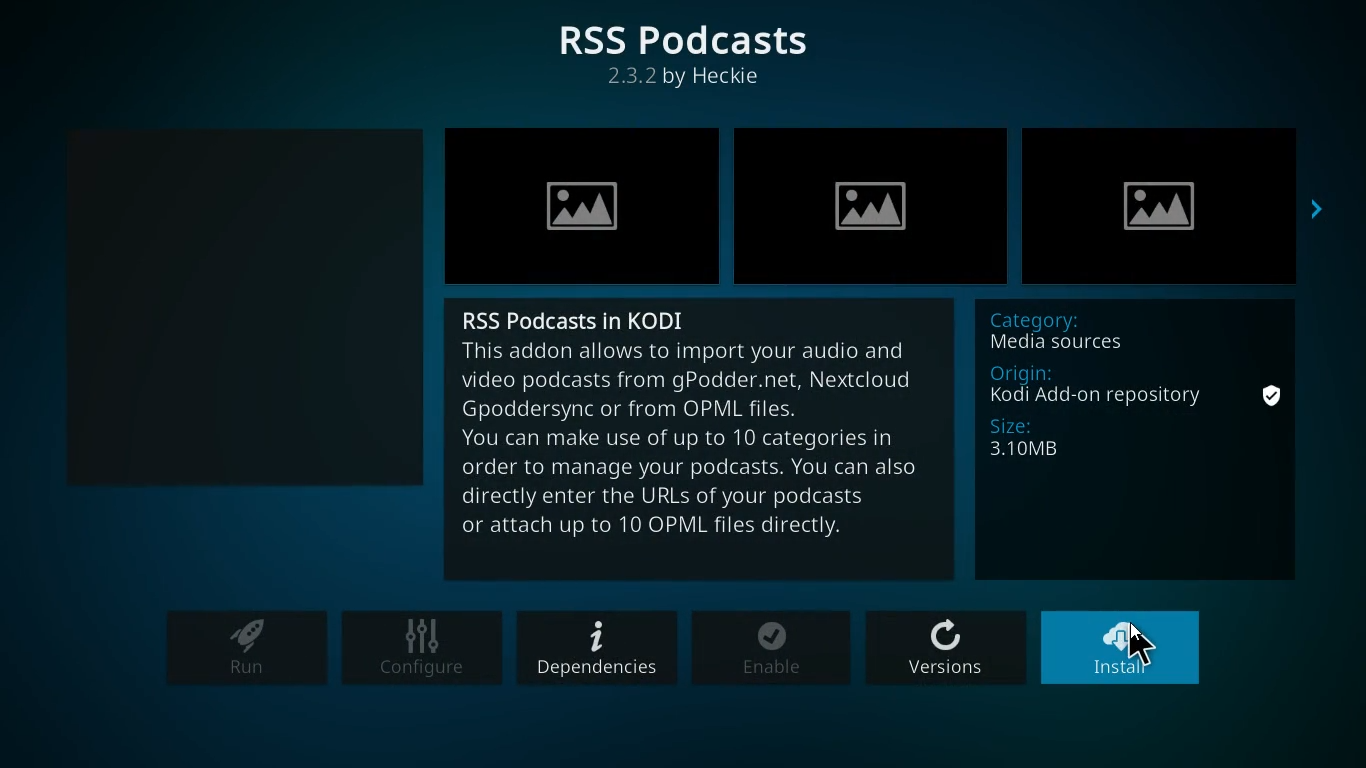  Describe the element at coordinates (584, 202) in the screenshot. I see `image` at that location.